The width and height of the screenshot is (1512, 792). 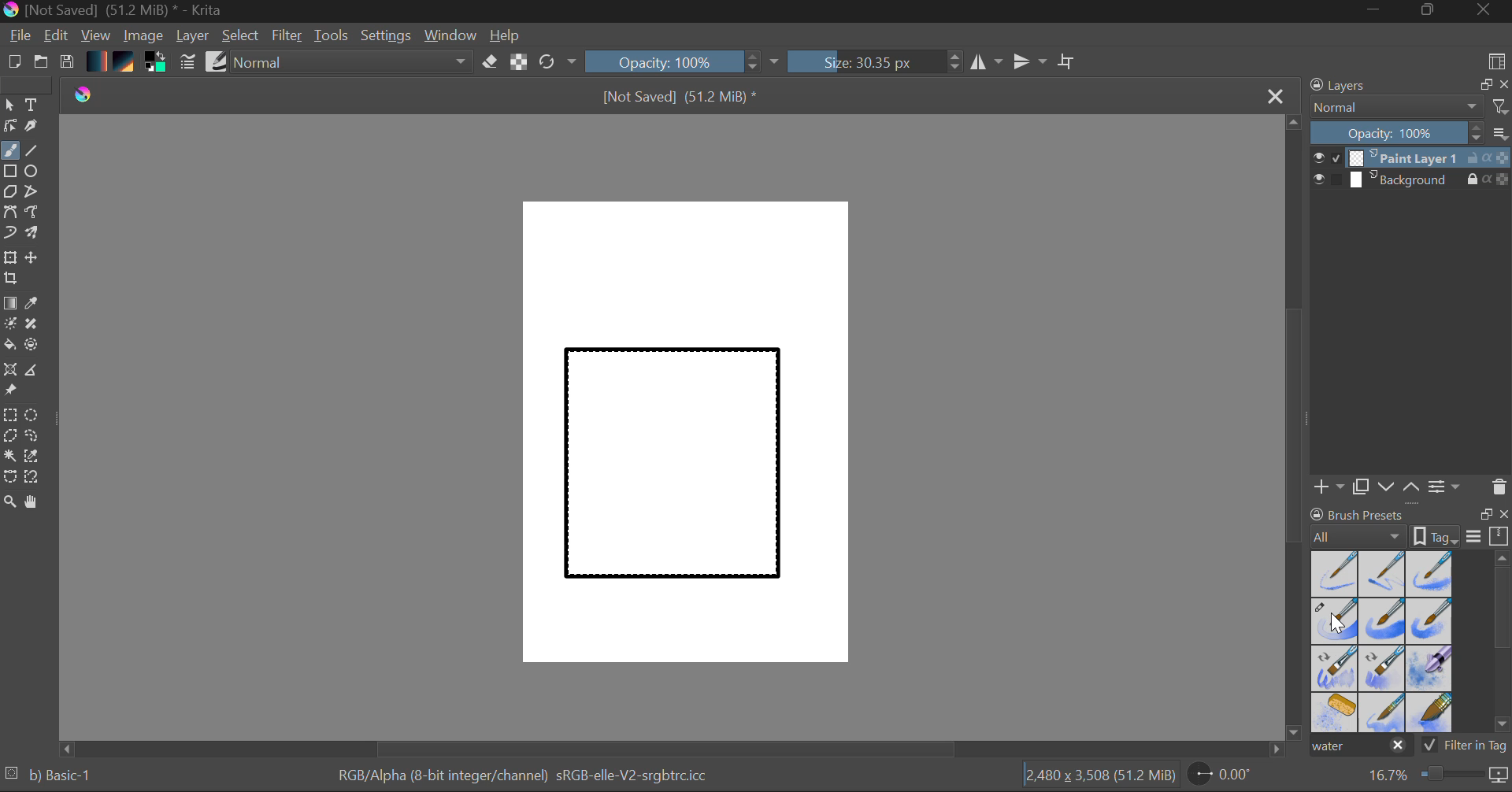 What do you see at coordinates (9, 105) in the screenshot?
I see `Select` at bounding box center [9, 105].